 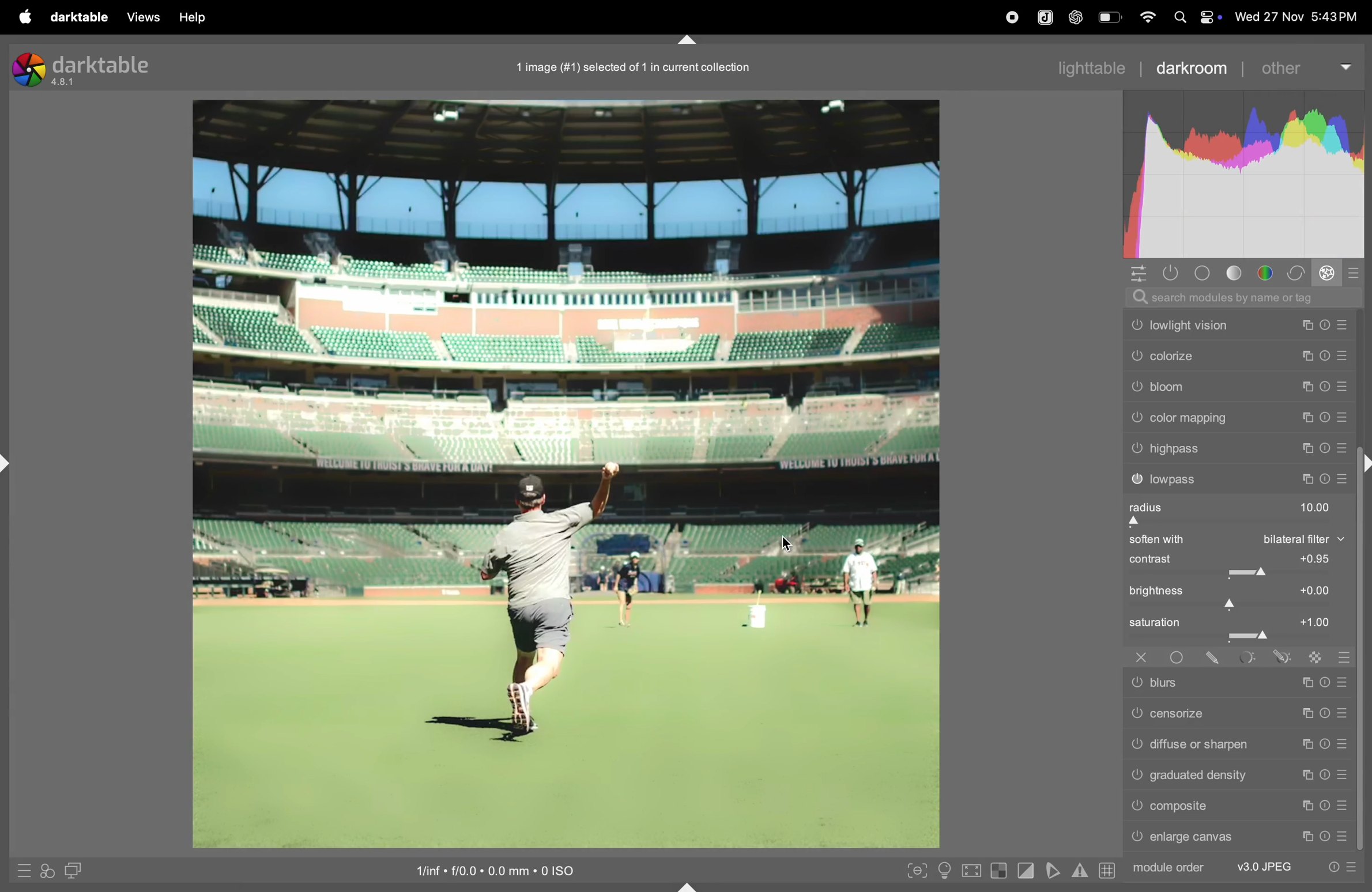 What do you see at coordinates (1295, 273) in the screenshot?
I see `correct` at bounding box center [1295, 273].